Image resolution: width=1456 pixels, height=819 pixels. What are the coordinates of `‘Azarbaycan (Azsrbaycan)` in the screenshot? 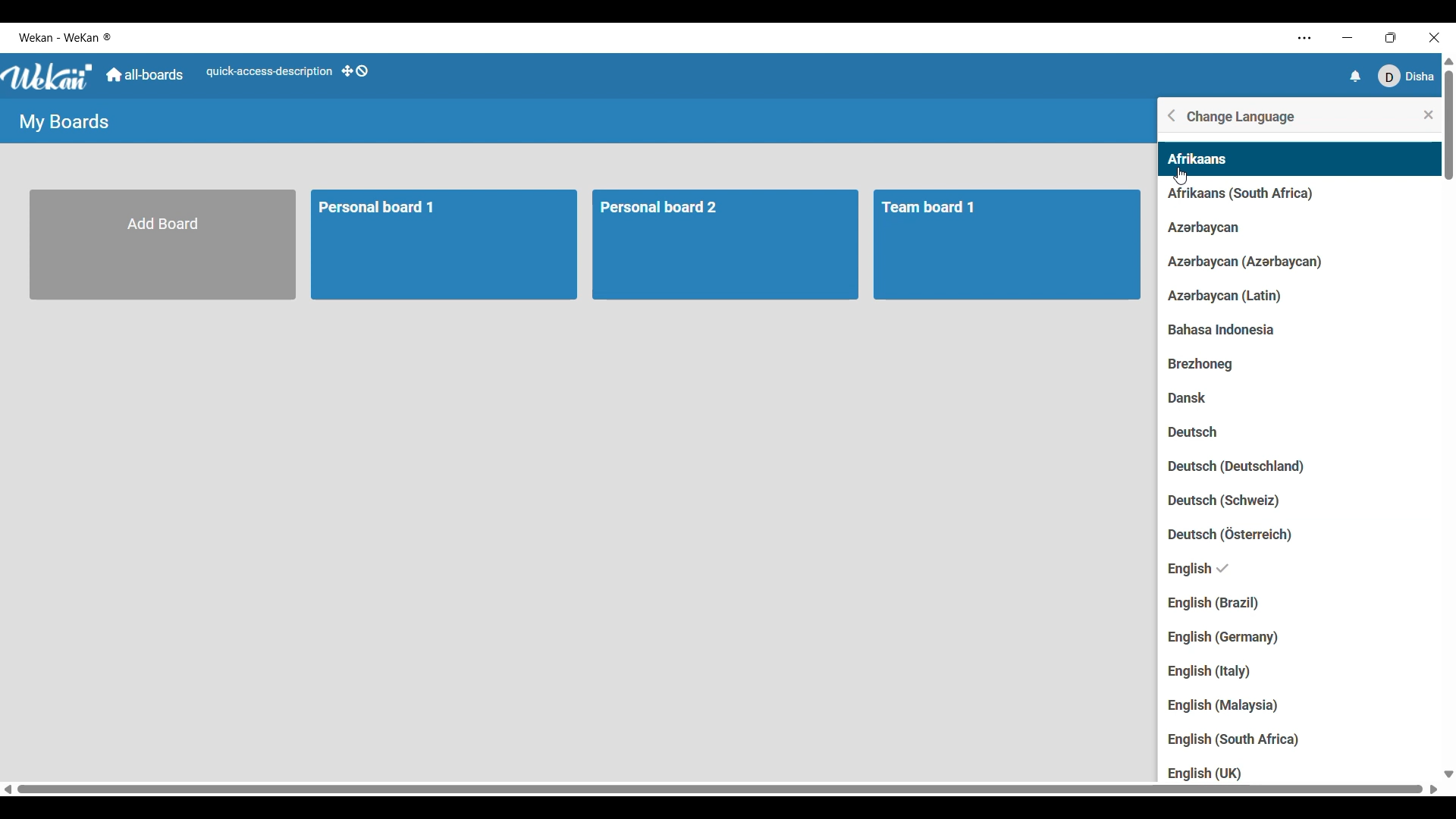 It's located at (1249, 262).